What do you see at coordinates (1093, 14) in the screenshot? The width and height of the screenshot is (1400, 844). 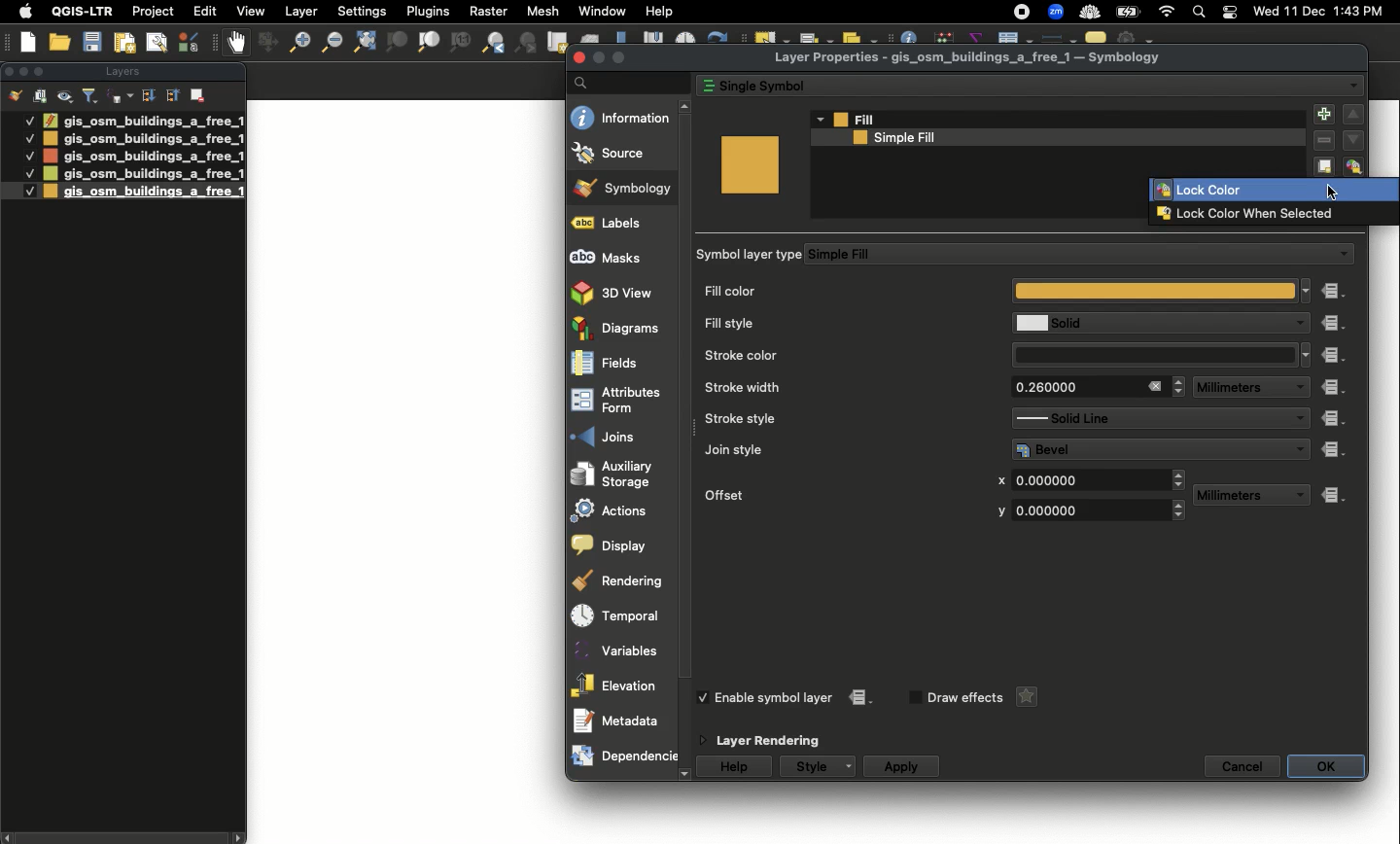 I see `` at bounding box center [1093, 14].